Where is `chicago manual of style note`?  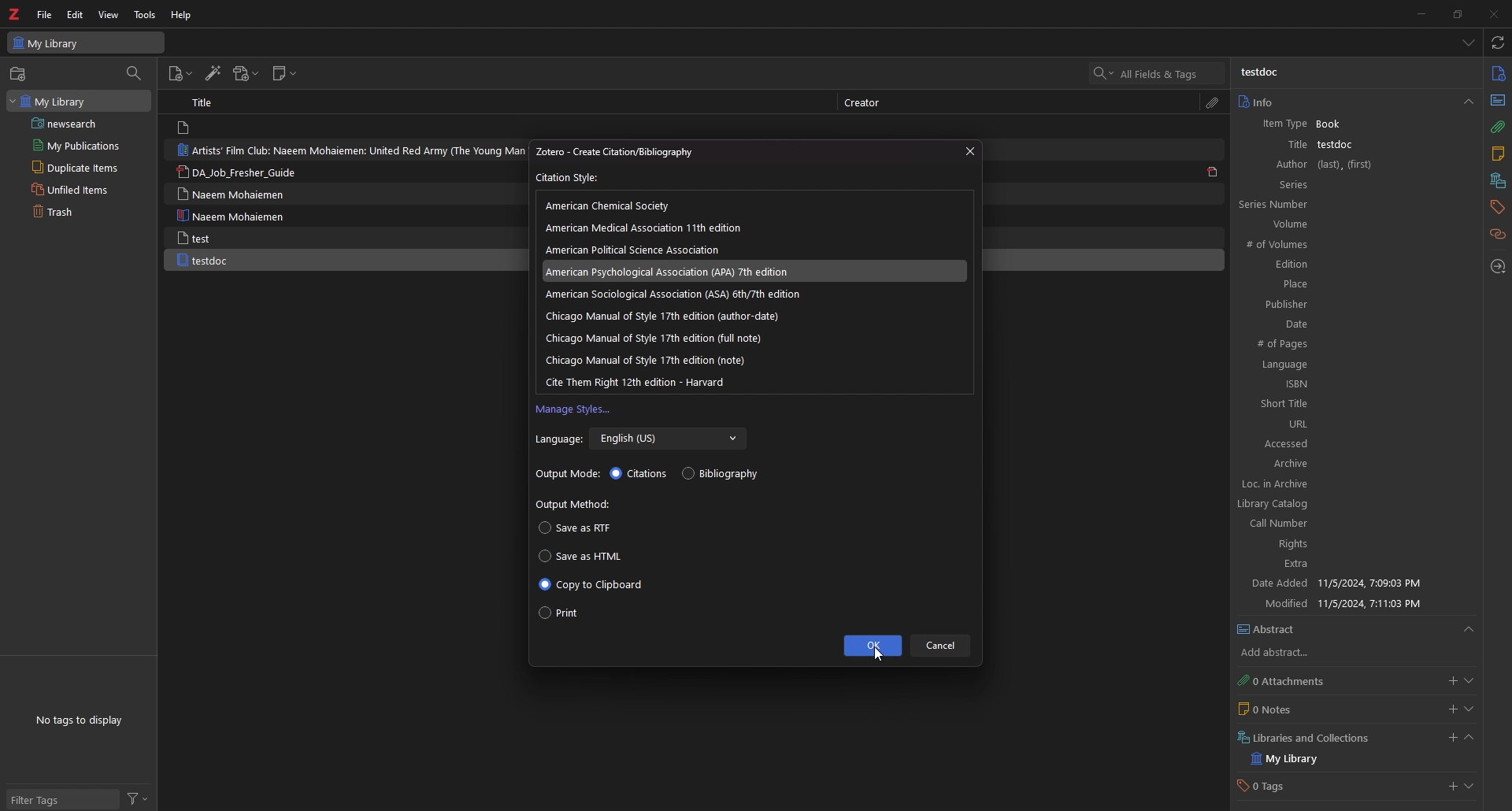 chicago manual of style note is located at coordinates (647, 360).